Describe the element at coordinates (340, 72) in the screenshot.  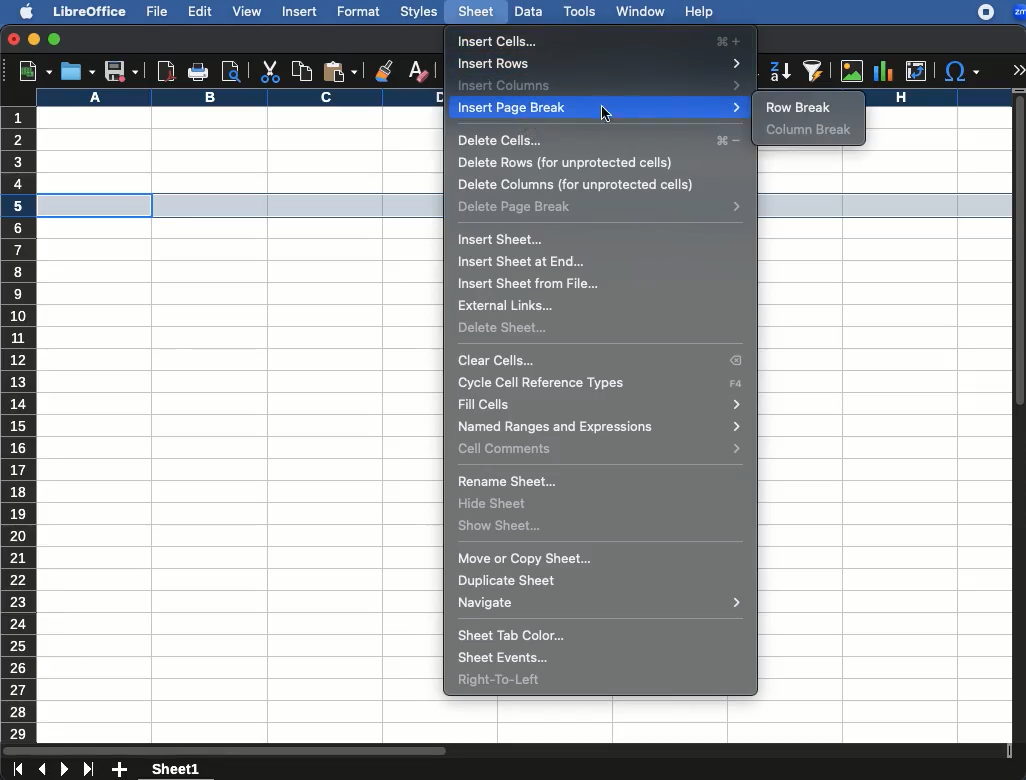
I see `paste` at that location.